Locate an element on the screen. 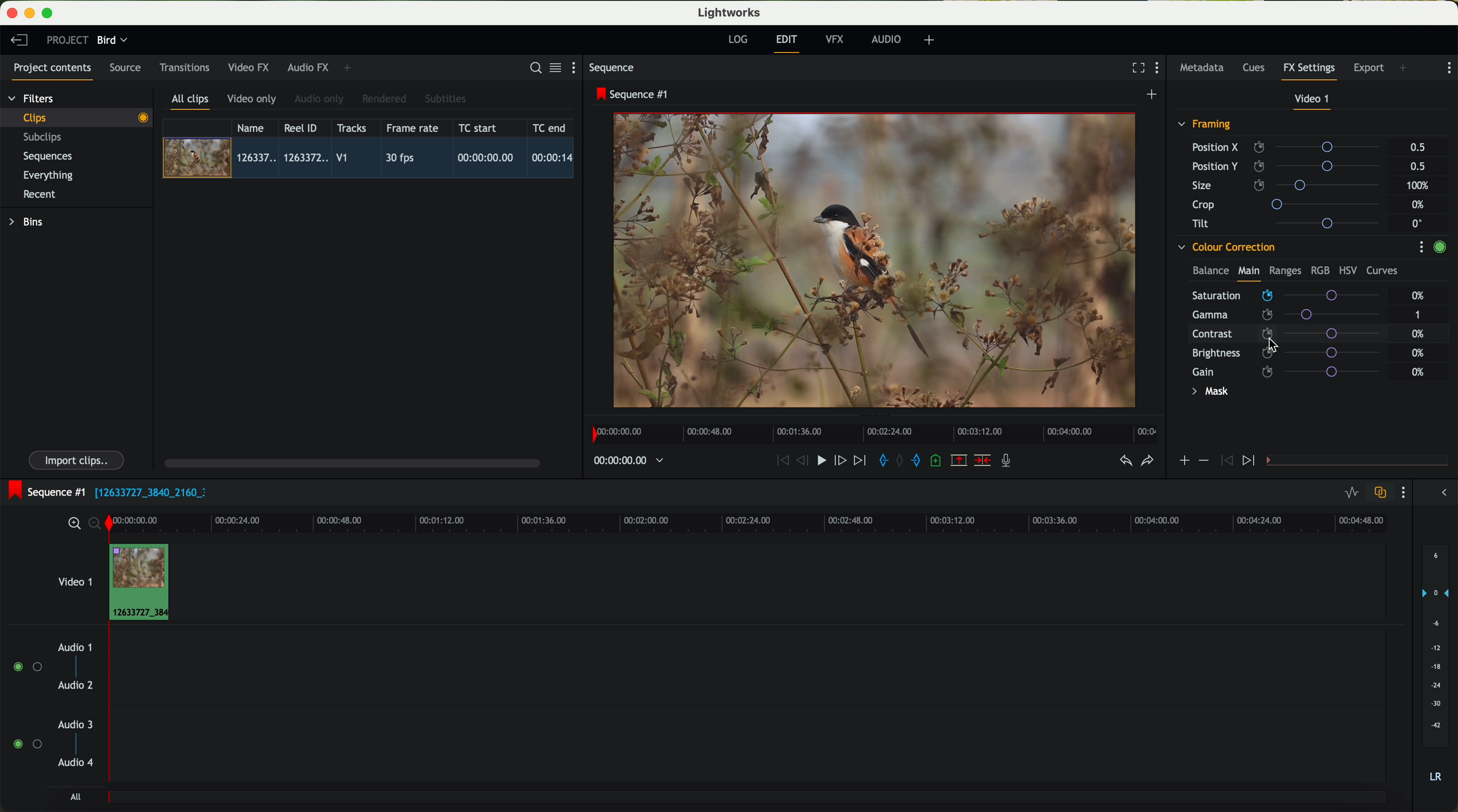  show/hide the full audio mix is located at coordinates (1440, 493).